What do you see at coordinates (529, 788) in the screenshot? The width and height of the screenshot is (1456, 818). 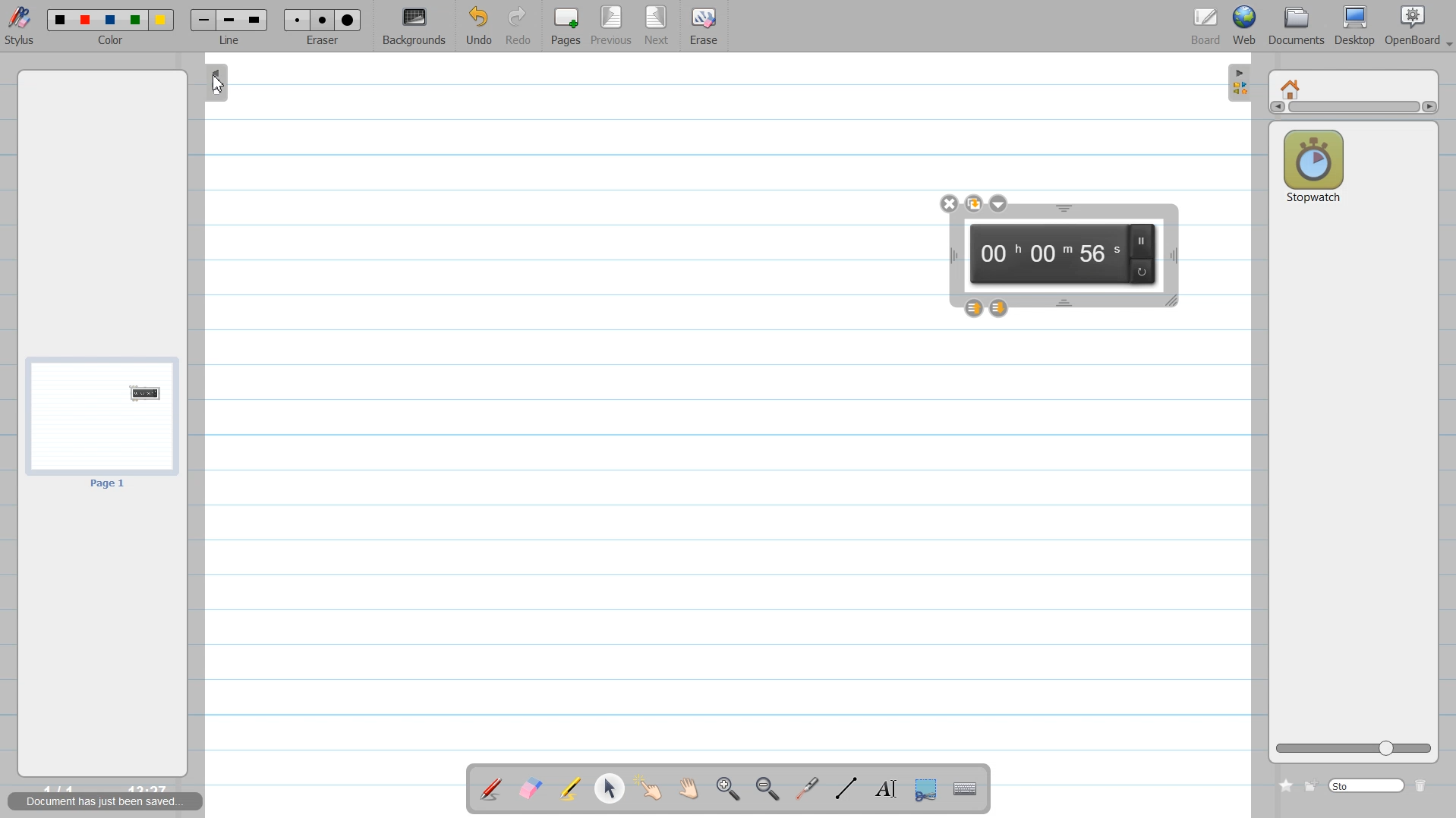 I see `Erase annotation` at bounding box center [529, 788].